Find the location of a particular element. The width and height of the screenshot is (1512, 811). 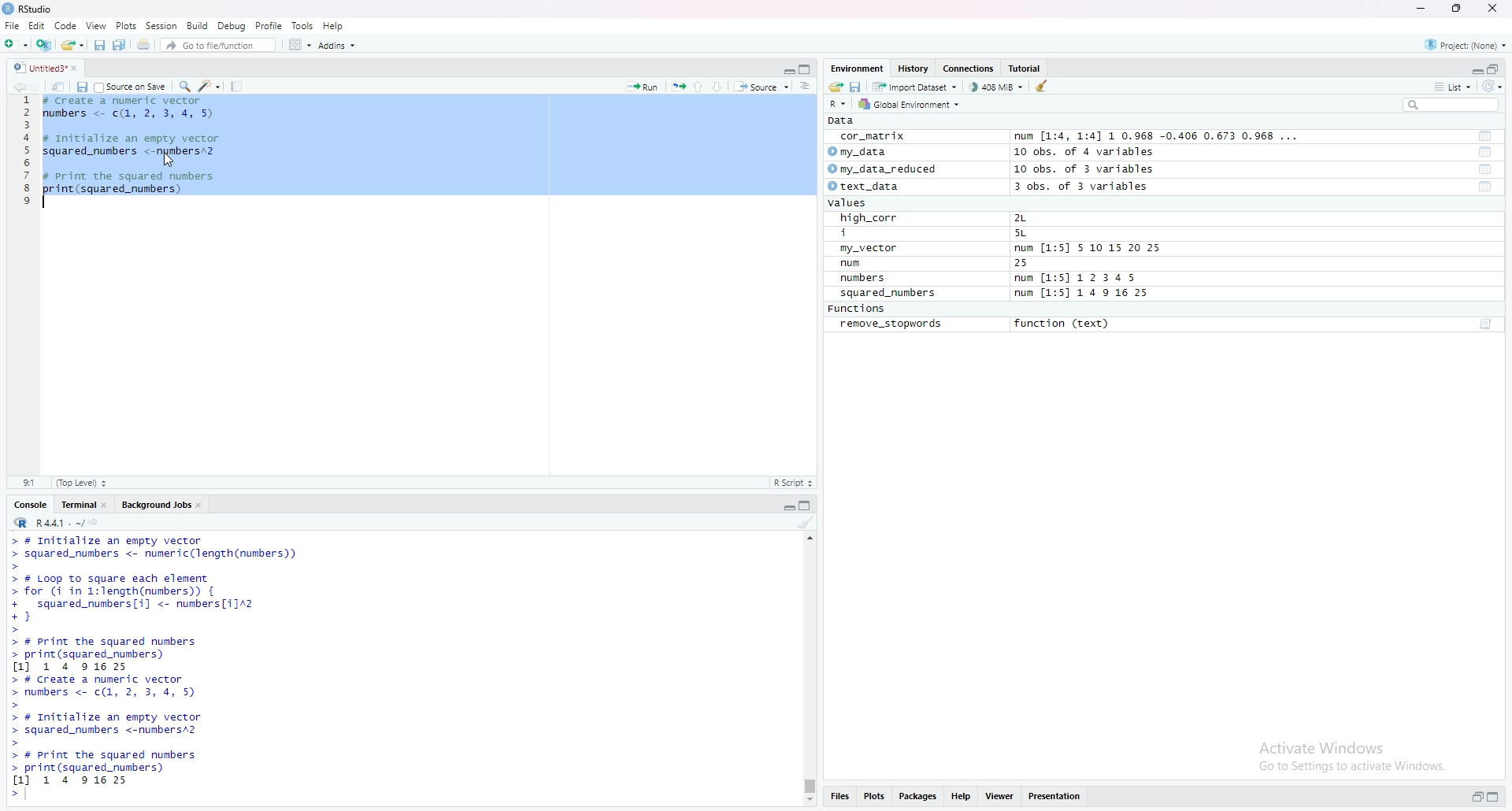

Global Environment is located at coordinates (910, 104).